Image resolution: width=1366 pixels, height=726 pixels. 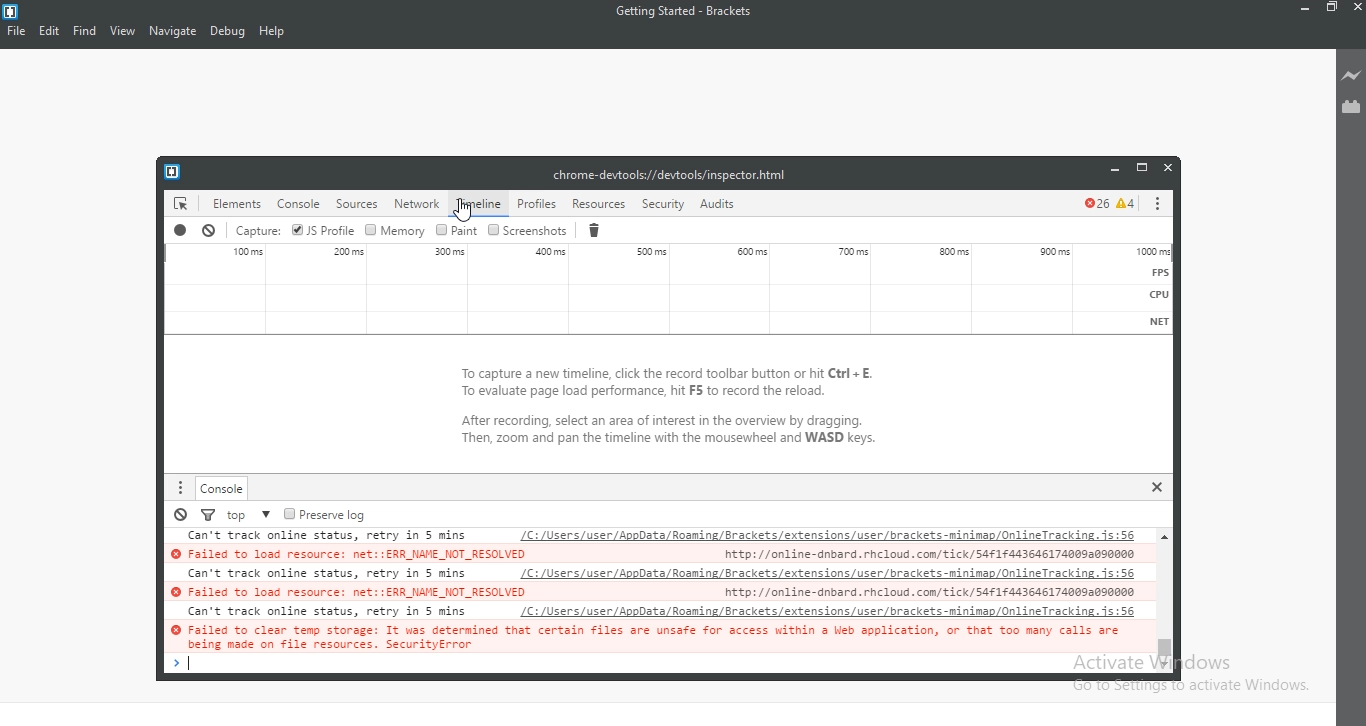 I want to click on logo, so click(x=10, y=13).